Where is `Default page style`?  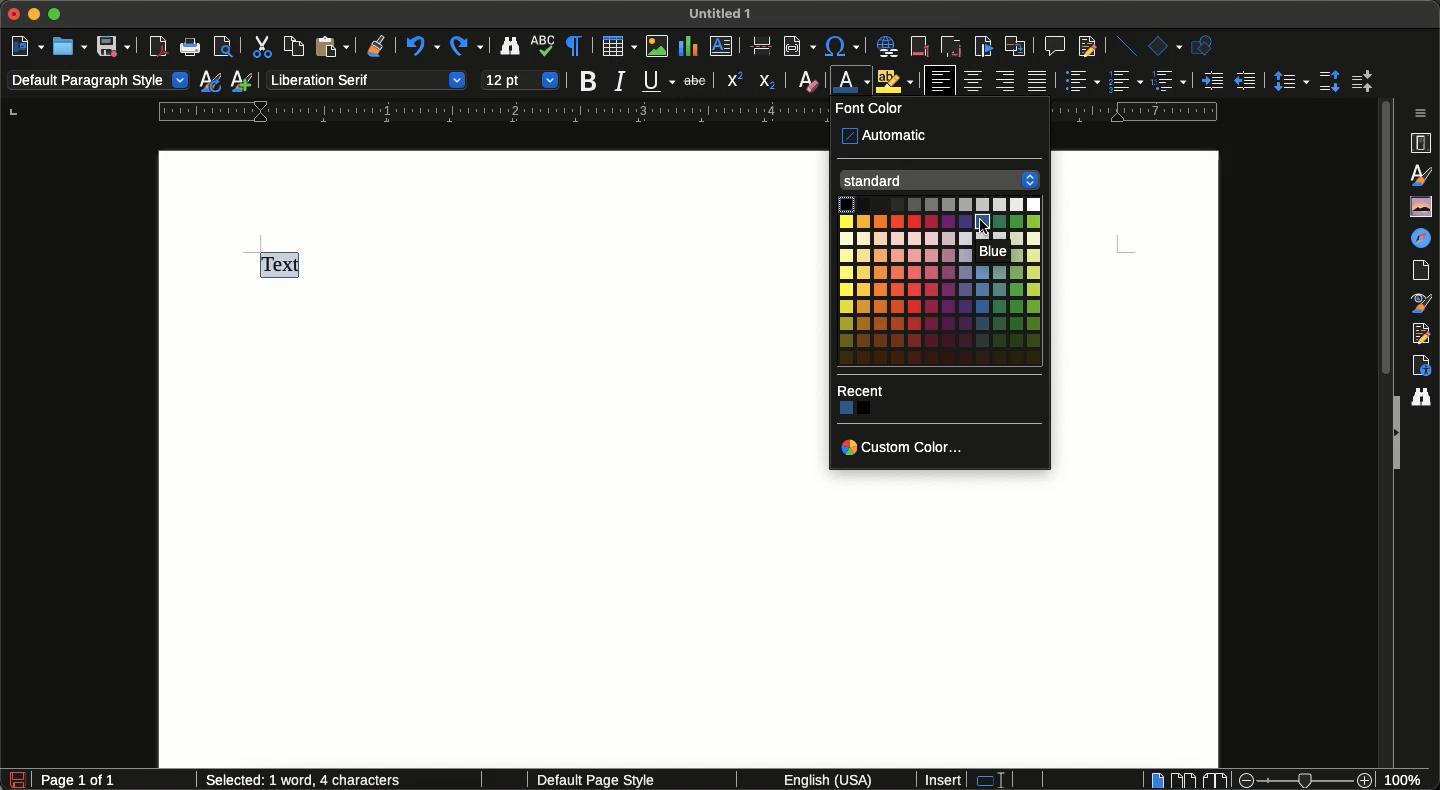 Default page style is located at coordinates (613, 781).